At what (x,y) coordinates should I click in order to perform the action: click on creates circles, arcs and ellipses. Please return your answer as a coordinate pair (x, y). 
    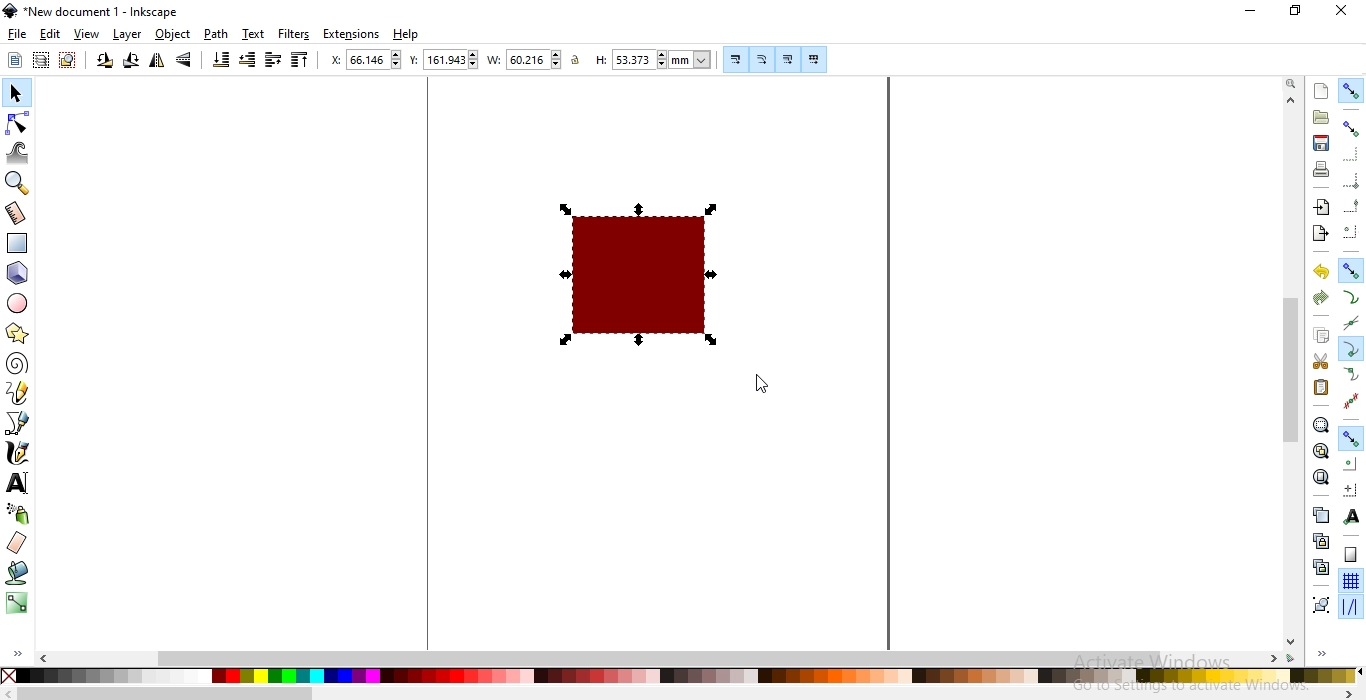
    Looking at the image, I should click on (21, 304).